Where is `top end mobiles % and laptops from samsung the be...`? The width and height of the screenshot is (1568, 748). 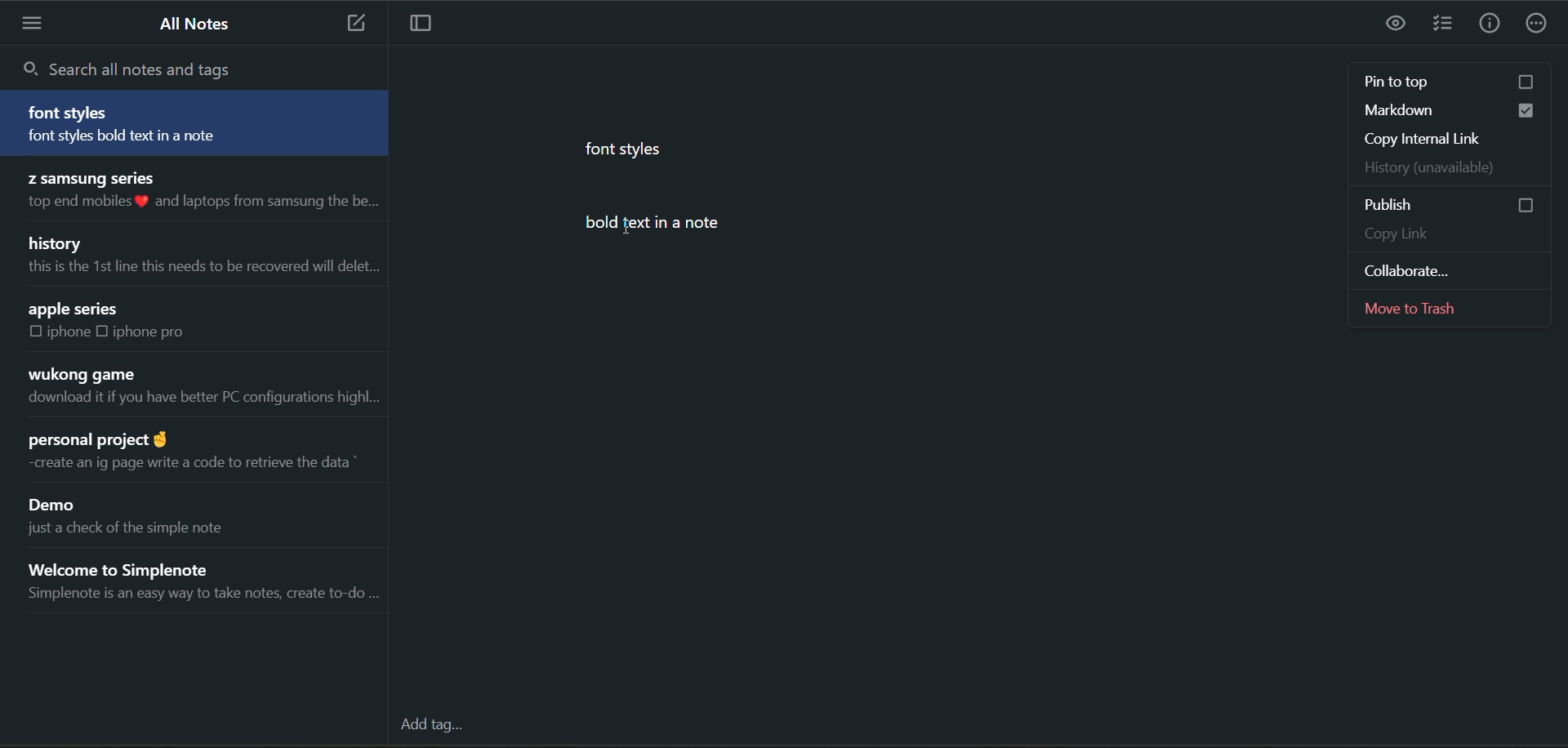
top end mobiles % and laptops from samsung the be... is located at coordinates (198, 203).